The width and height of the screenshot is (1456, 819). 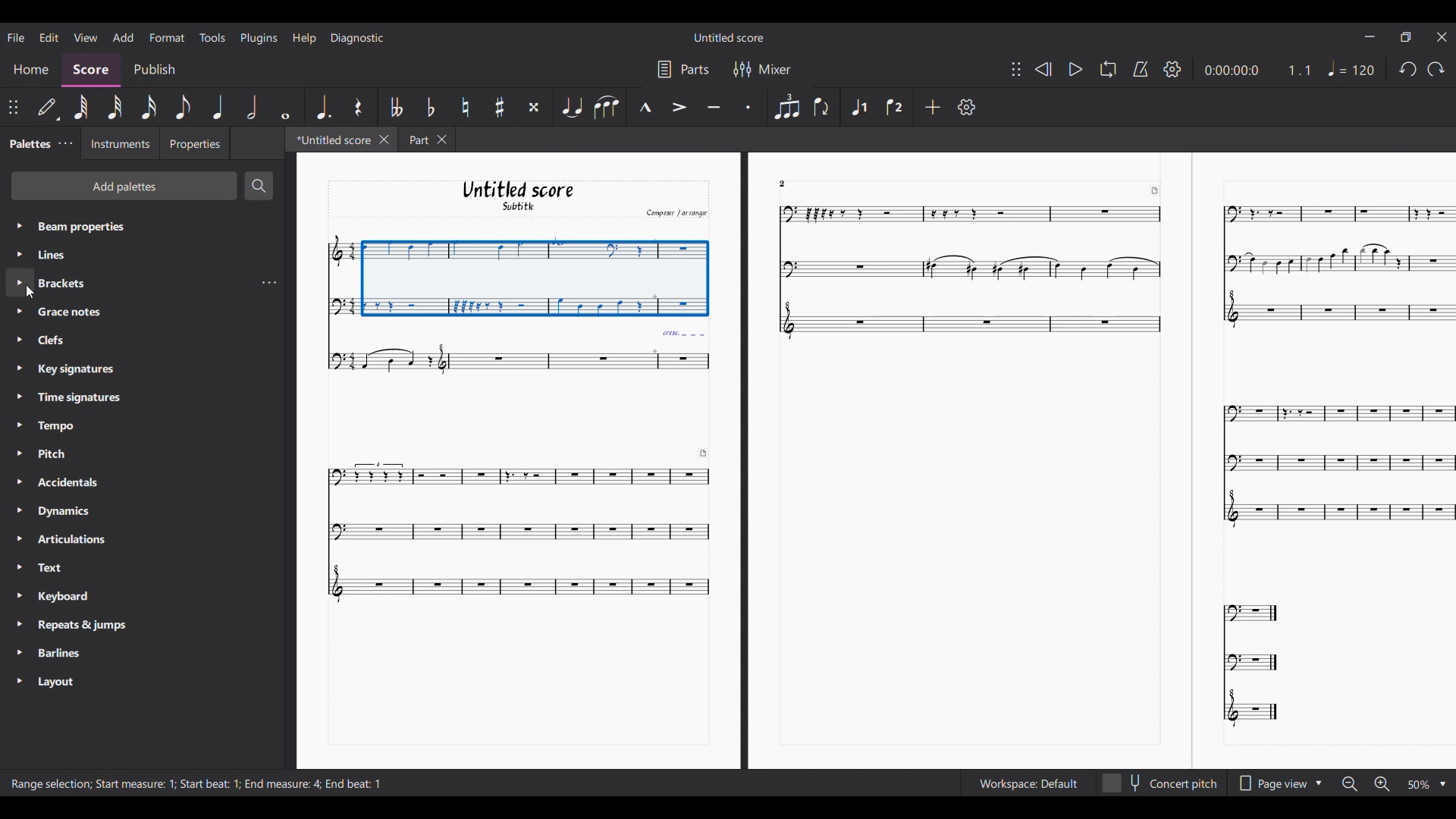 I want to click on 2, so click(x=792, y=183).